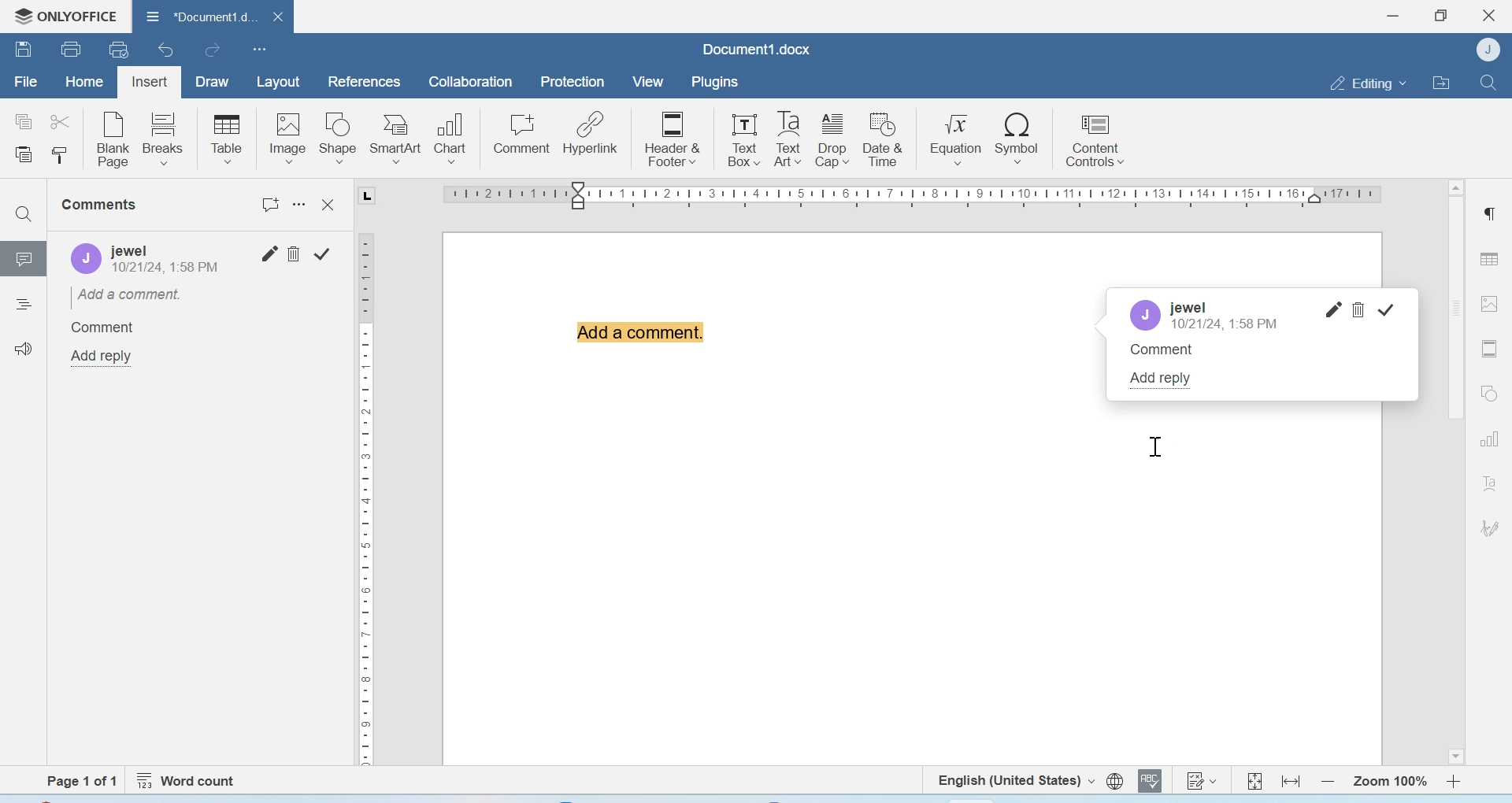 The image size is (1512, 803). I want to click on Resolve, so click(1387, 310).